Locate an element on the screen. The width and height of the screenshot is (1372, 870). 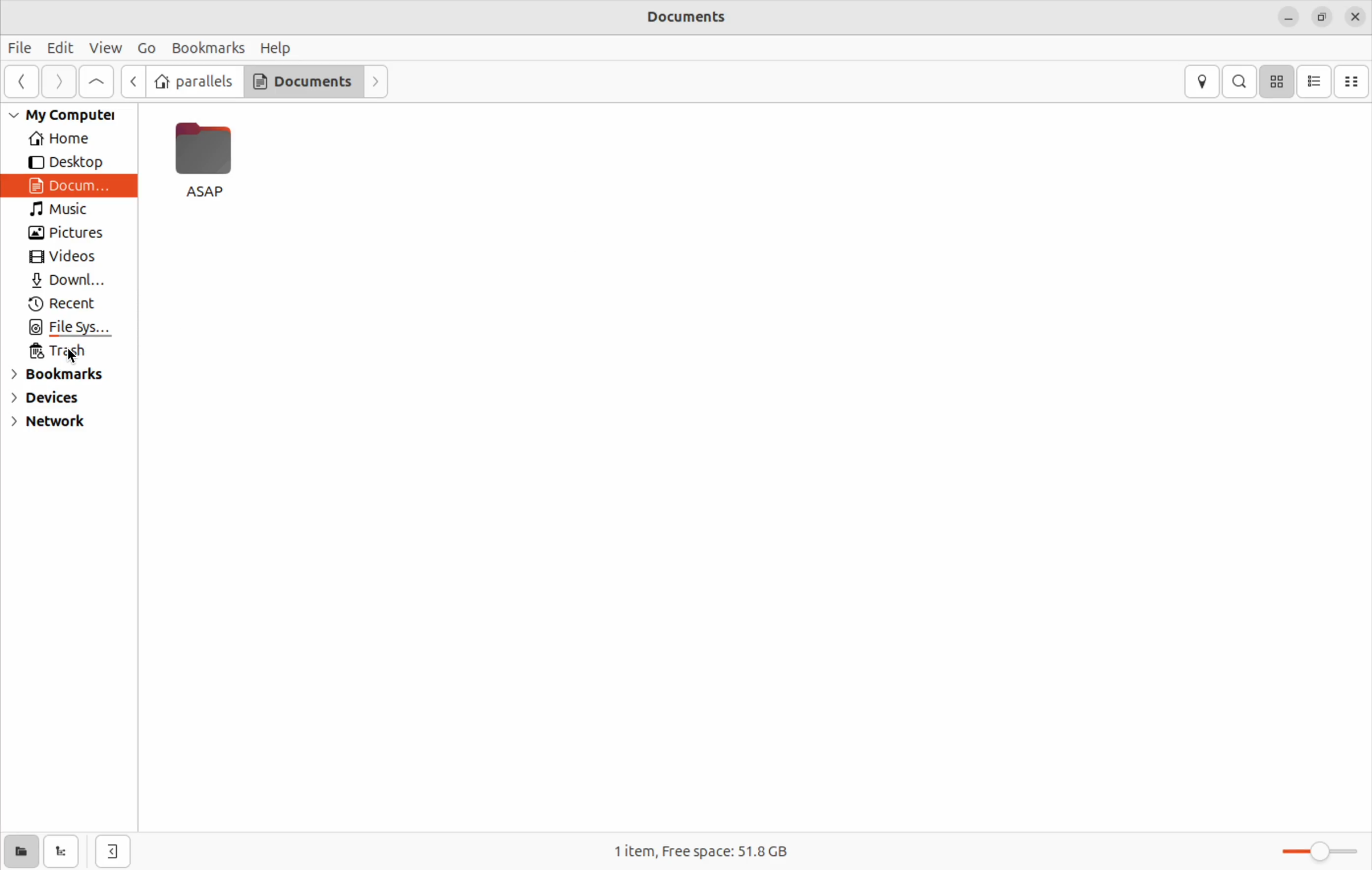
trash is located at coordinates (67, 354).